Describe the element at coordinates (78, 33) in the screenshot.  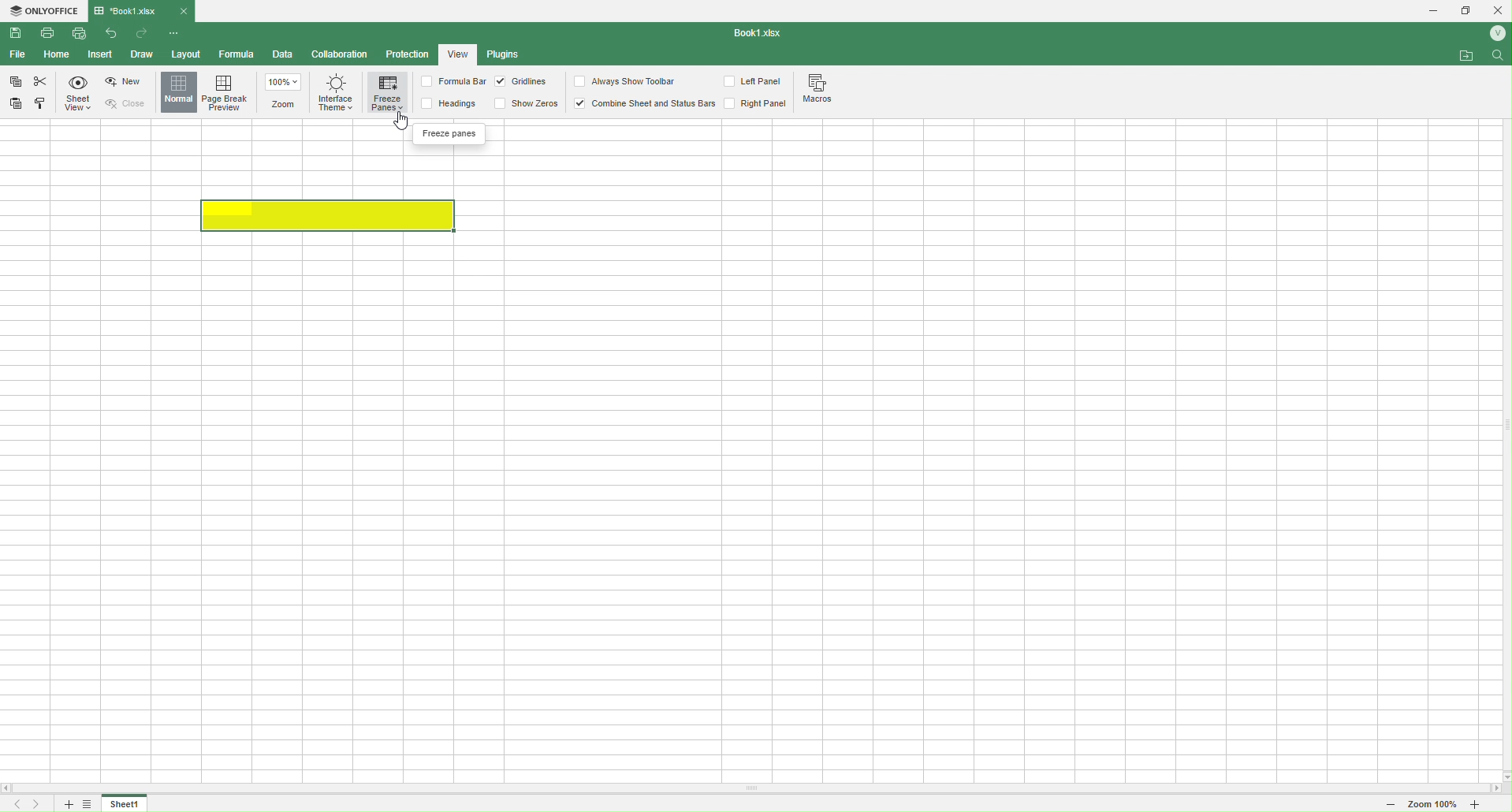
I see `Quick print` at that location.